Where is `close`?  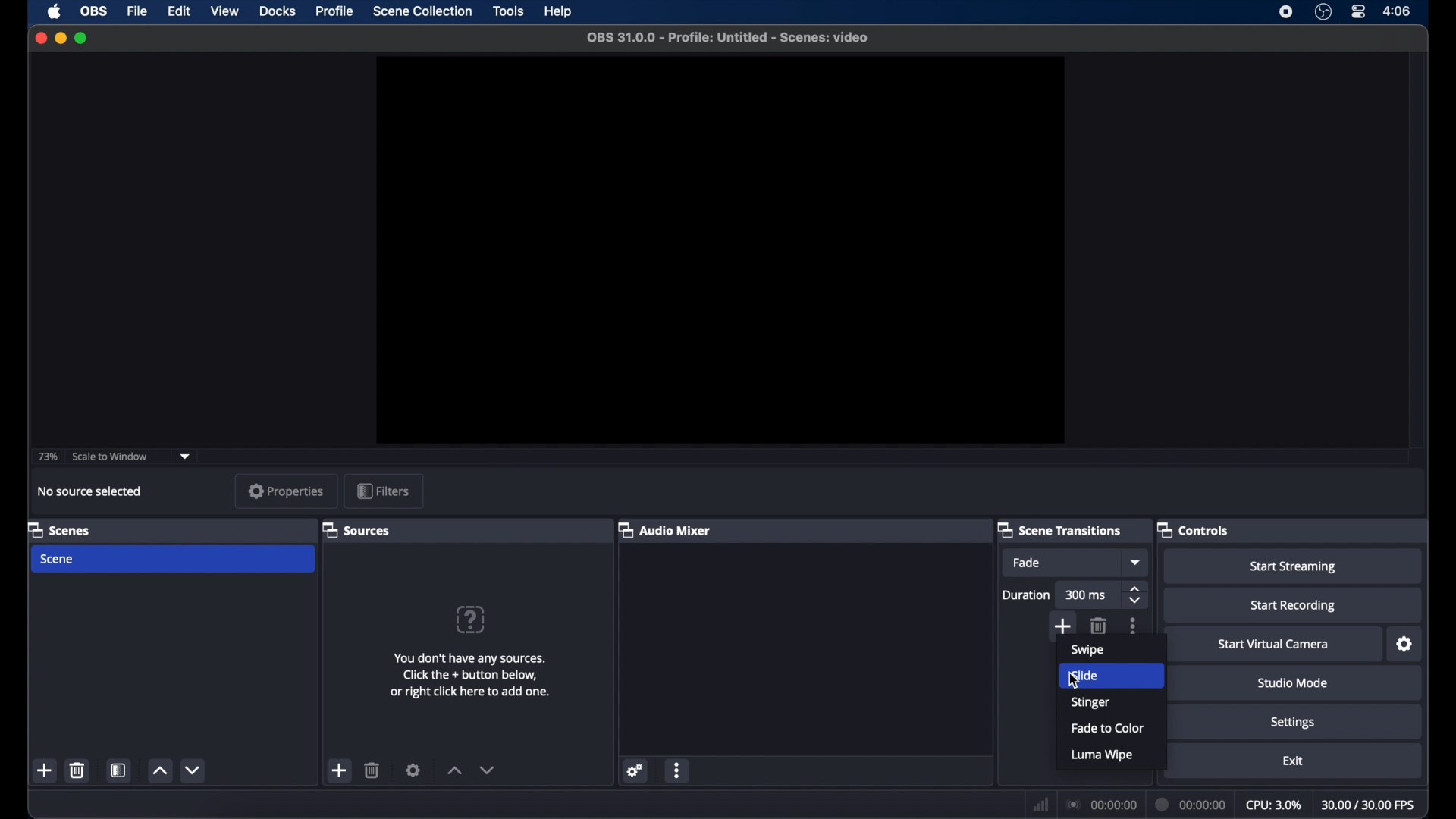
close is located at coordinates (38, 37).